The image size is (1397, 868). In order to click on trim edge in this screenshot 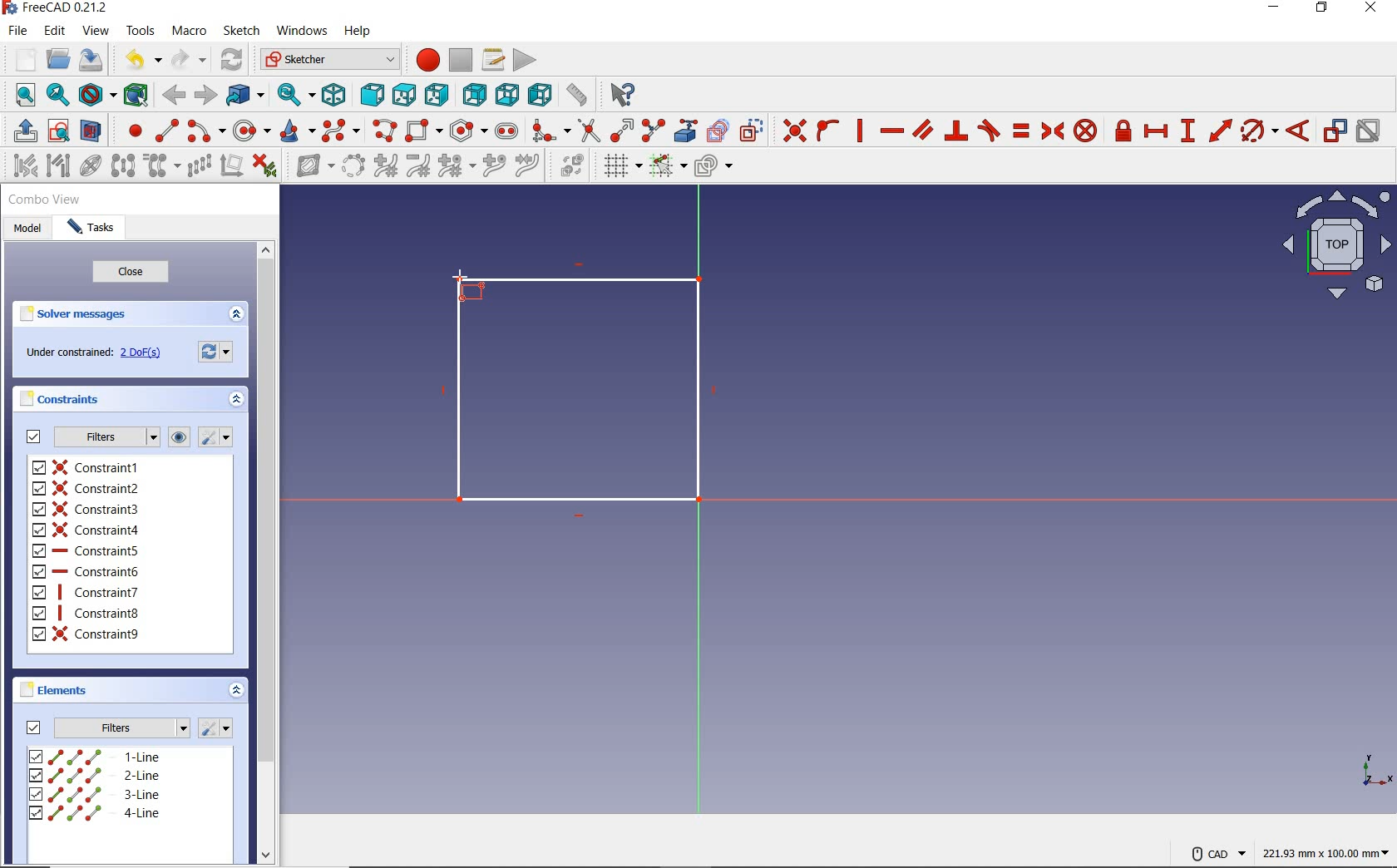, I will do `click(588, 131)`.